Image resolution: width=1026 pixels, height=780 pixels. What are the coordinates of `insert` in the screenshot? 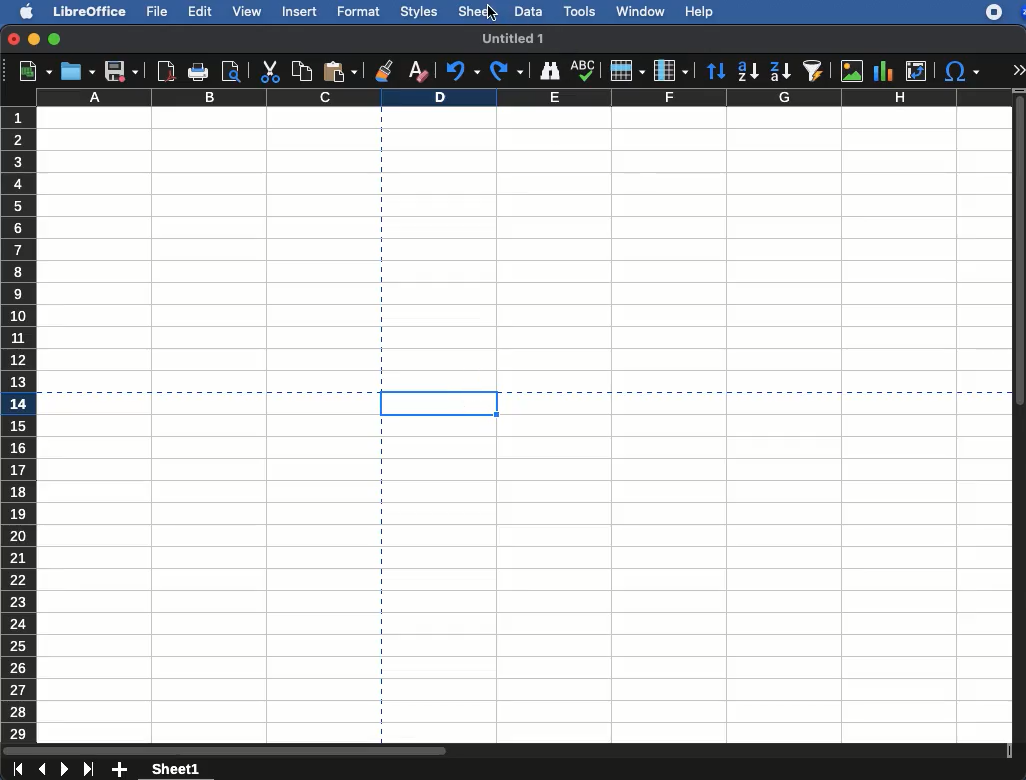 It's located at (301, 11).